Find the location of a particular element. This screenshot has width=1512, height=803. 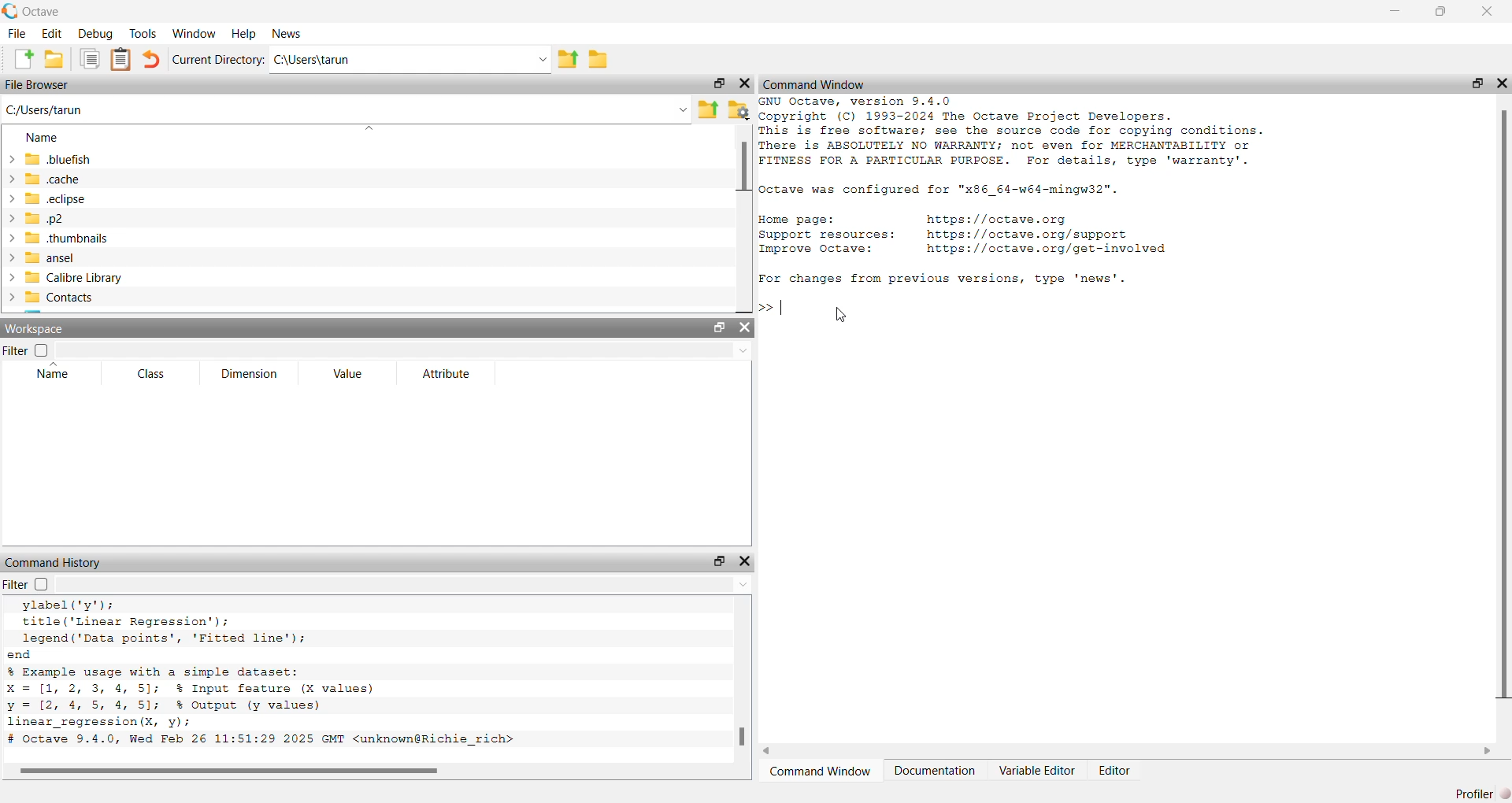

.eclipse is located at coordinates (98, 198).